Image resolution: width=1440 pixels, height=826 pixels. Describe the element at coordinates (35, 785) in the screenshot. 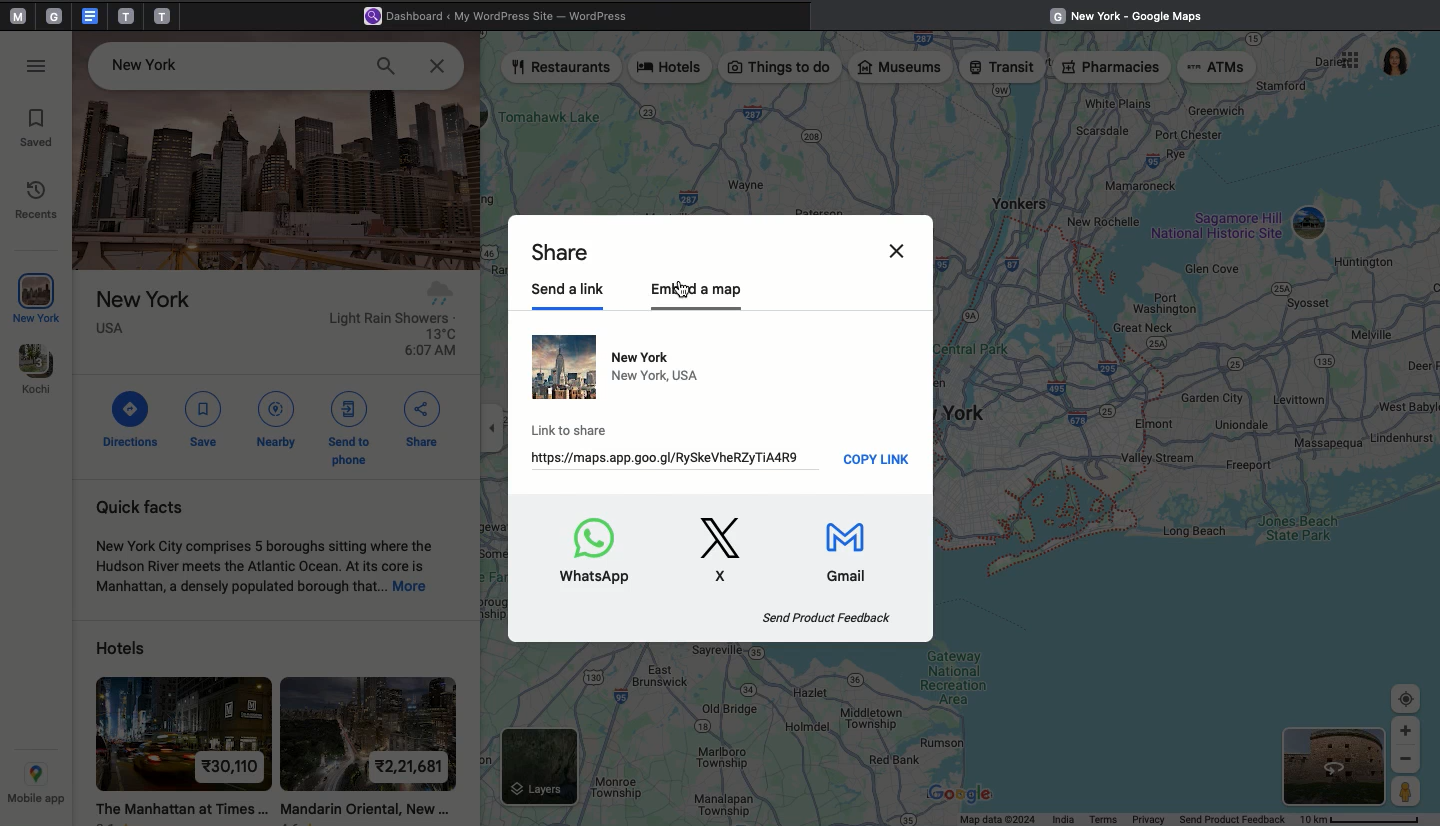

I see `Mobile app` at that location.